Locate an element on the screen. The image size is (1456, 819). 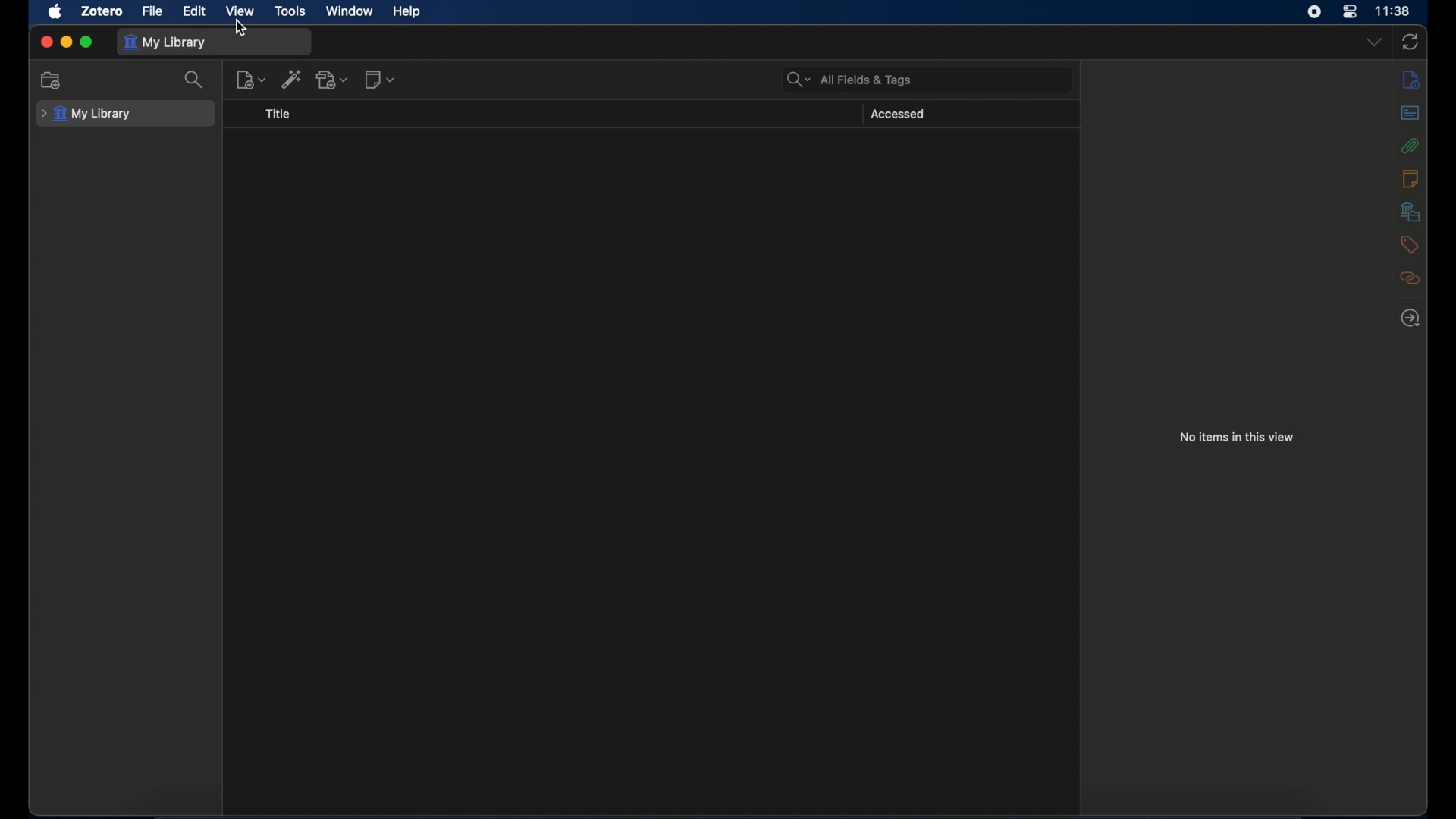
window is located at coordinates (351, 11).